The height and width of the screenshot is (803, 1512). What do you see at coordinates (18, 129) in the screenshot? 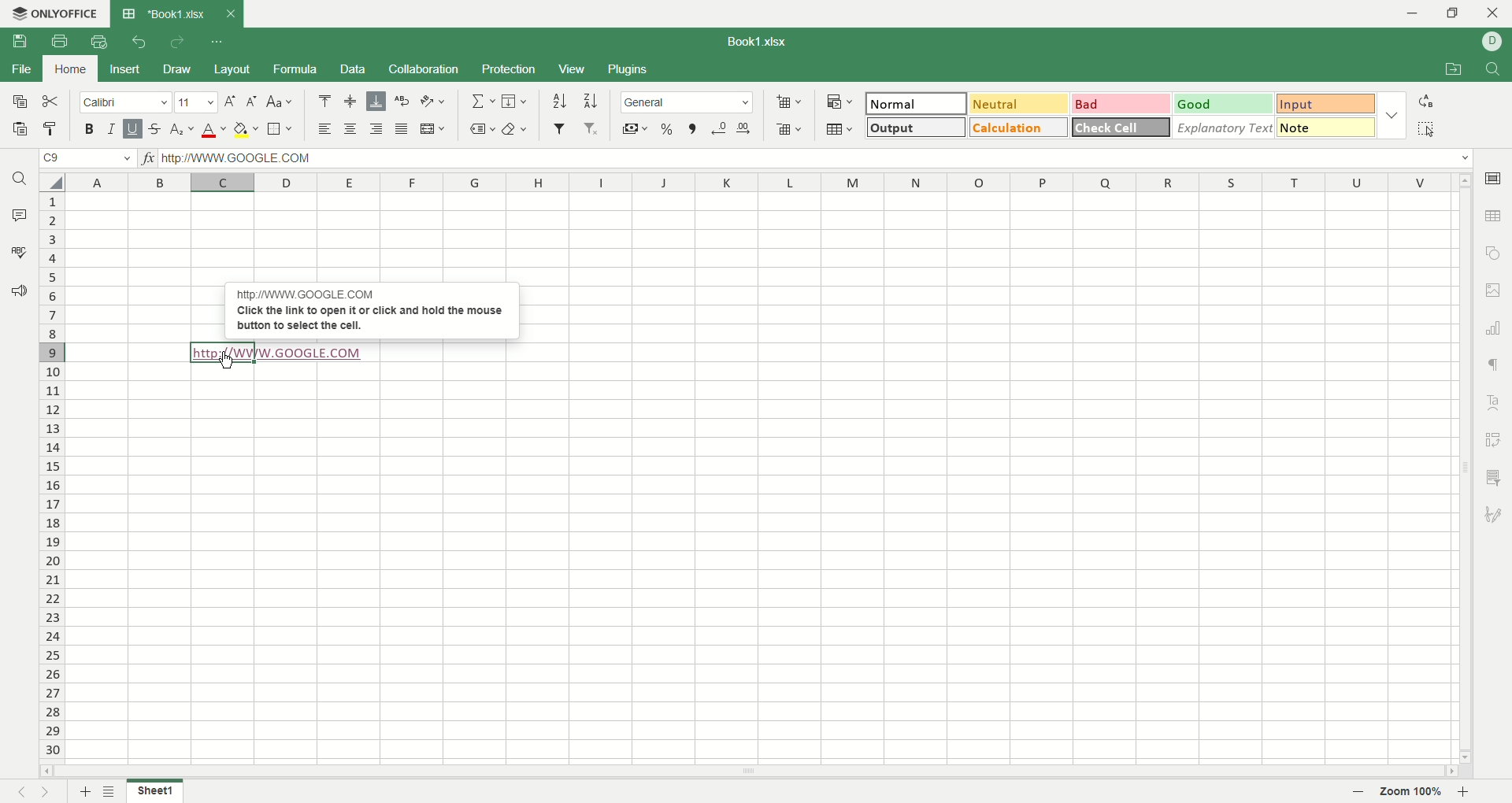
I see `paste` at bounding box center [18, 129].